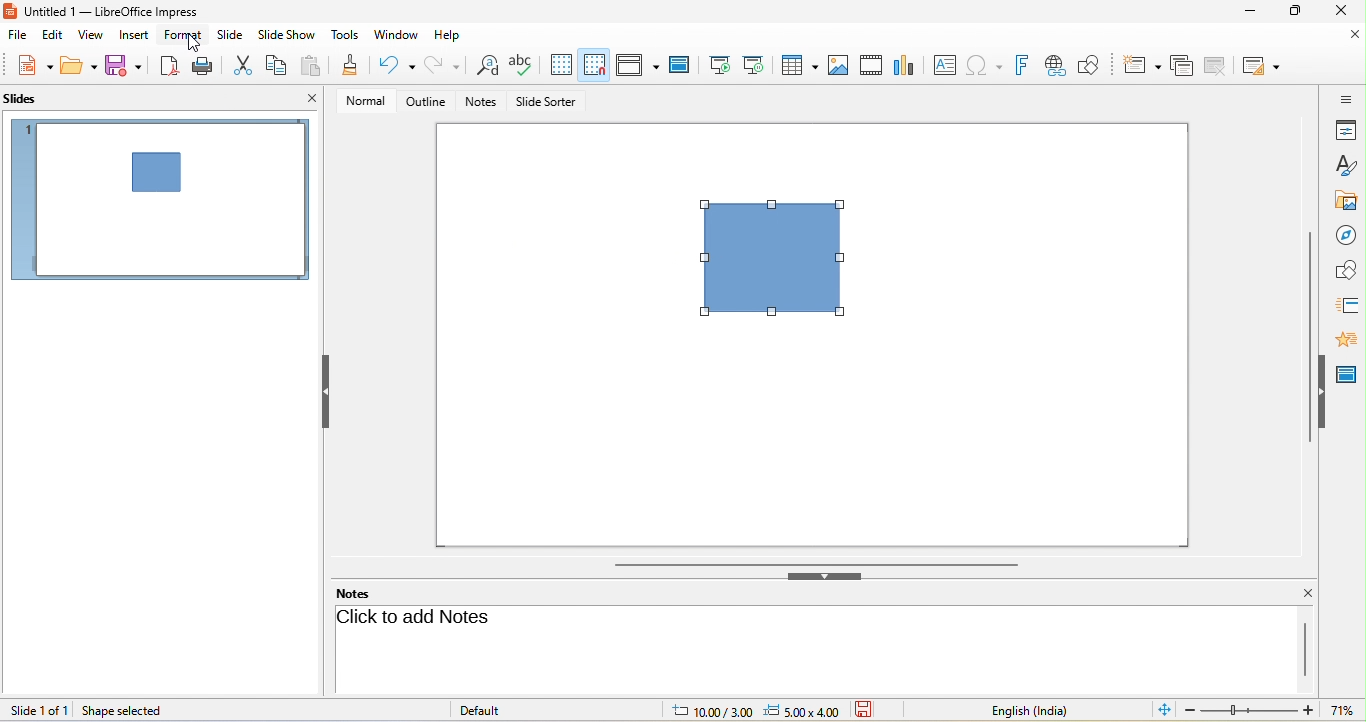  Describe the element at coordinates (987, 65) in the screenshot. I see `special character` at that location.